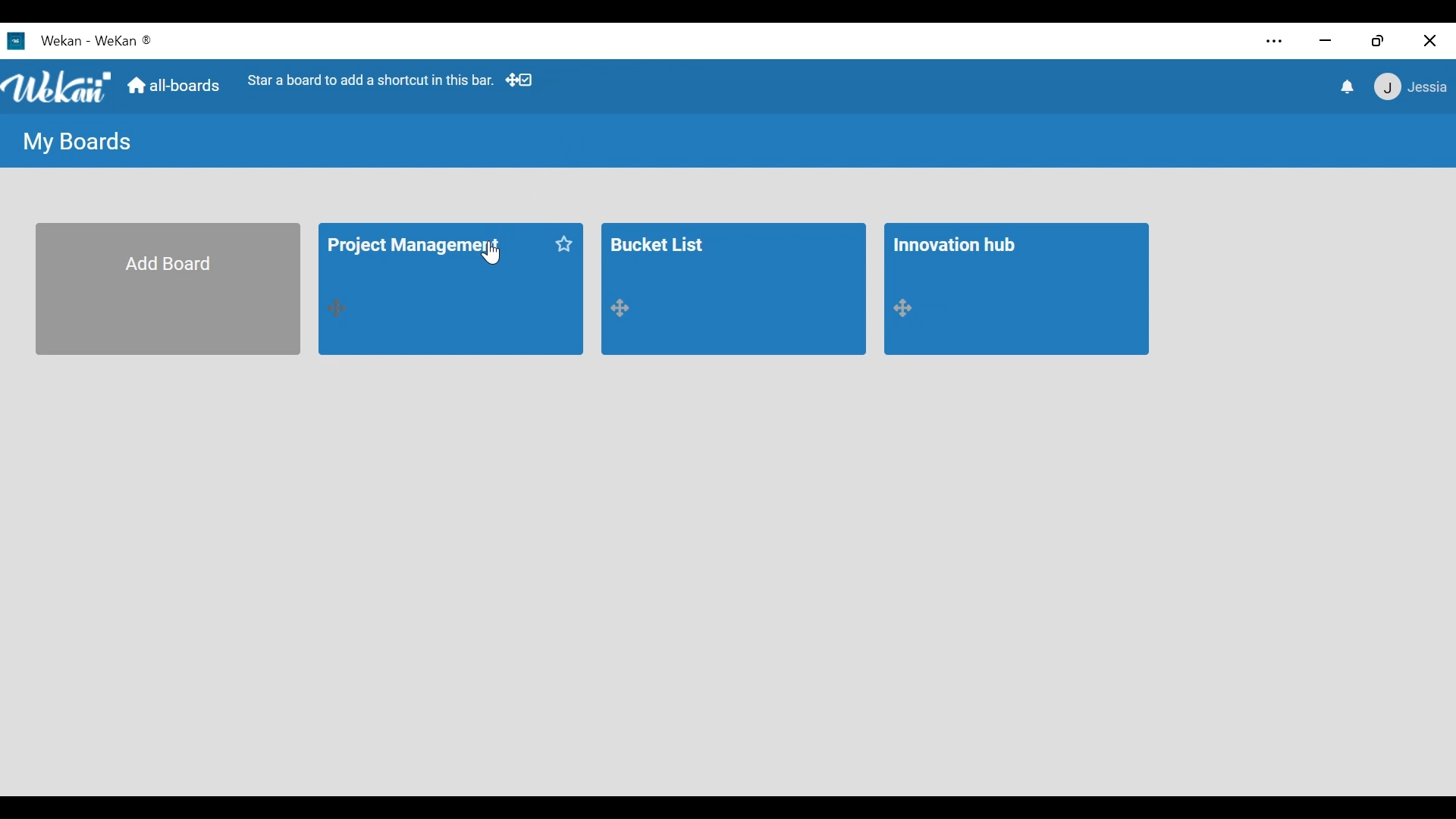  Describe the element at coordinates (45, 40) in the screenshot. I see `Wekan Desktop icon` at that location.